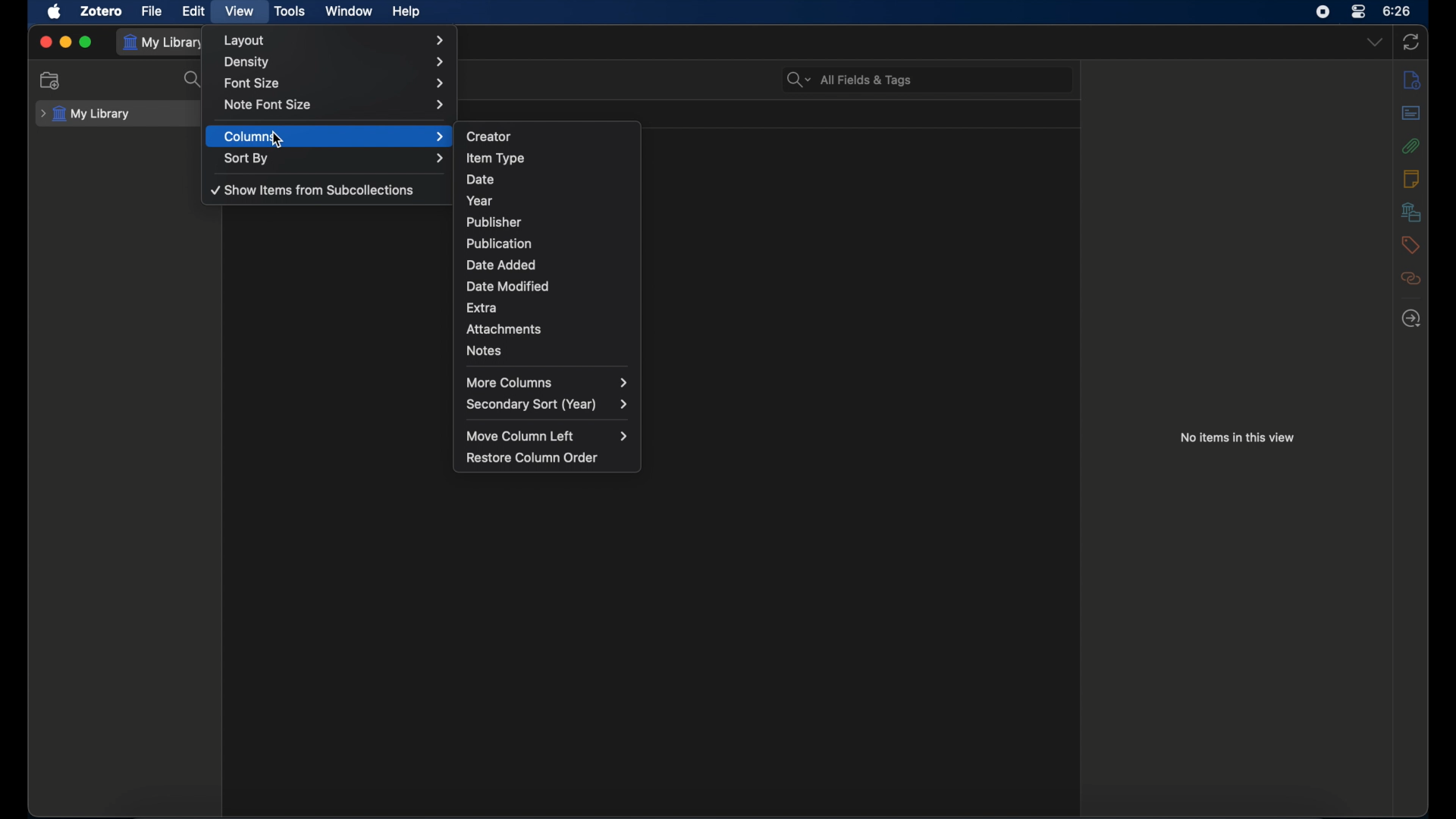 The height and width of the screenshot is (819, 1456). I want to click on control center, so click(1359, 11).